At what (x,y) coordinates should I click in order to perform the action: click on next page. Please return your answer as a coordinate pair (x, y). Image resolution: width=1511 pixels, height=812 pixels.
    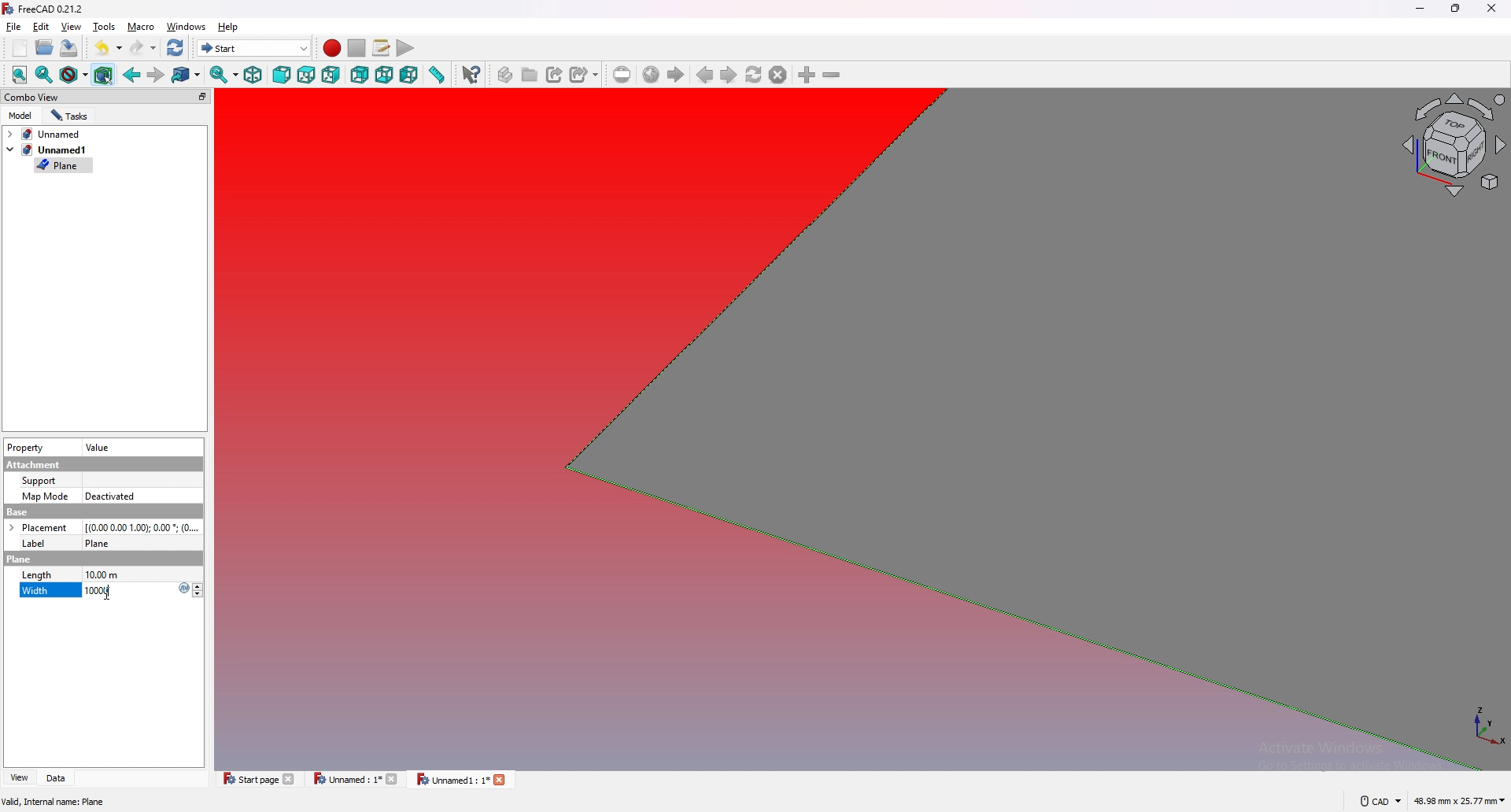
    Looking at the image, I should click on (730, 76).